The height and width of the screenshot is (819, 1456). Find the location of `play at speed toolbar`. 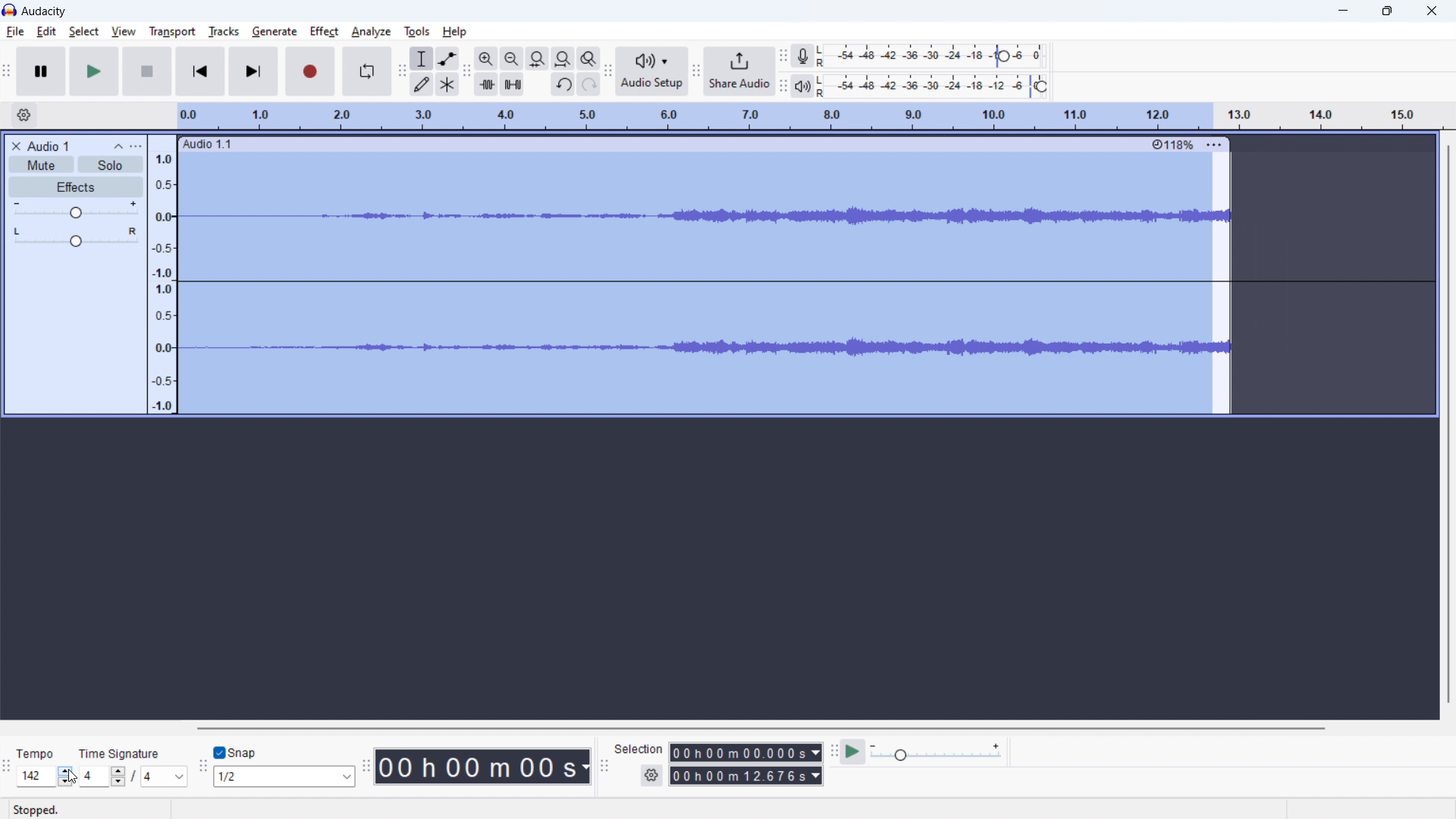

play at speed toolbar is located at coordinates (833, 752).